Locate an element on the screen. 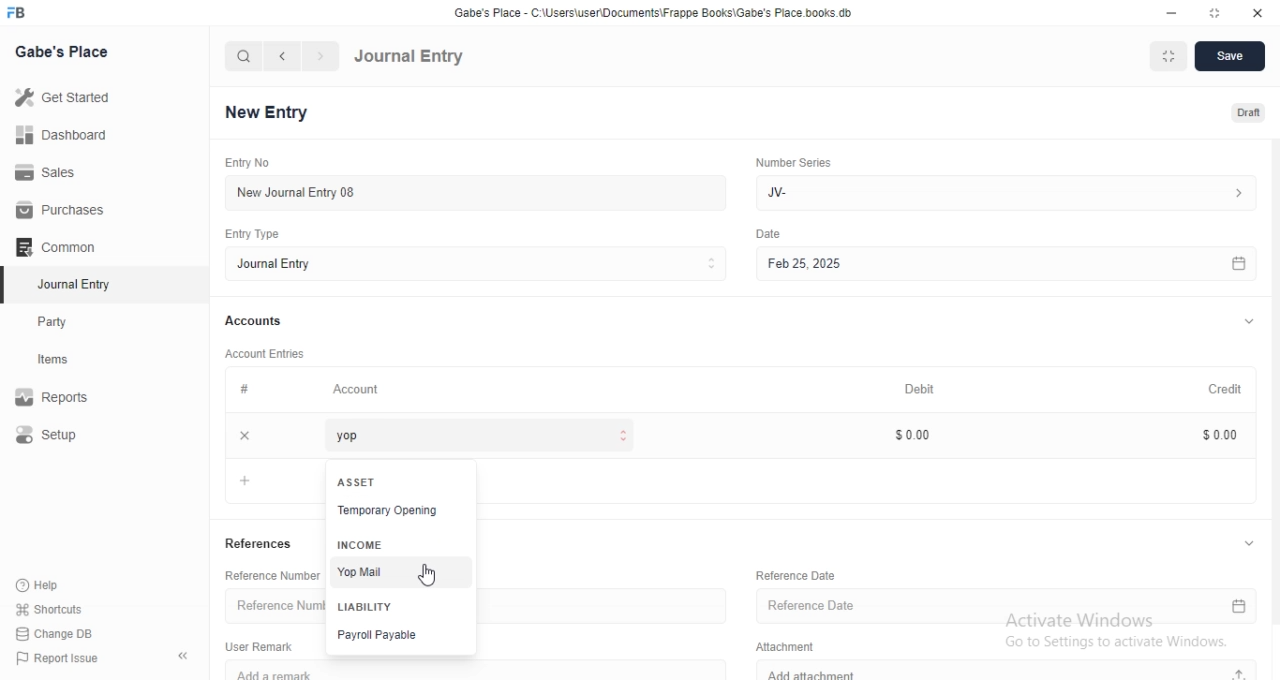 The height and width of the screenshot is (680, 1280). Sales is located at coordinates (57, 173).